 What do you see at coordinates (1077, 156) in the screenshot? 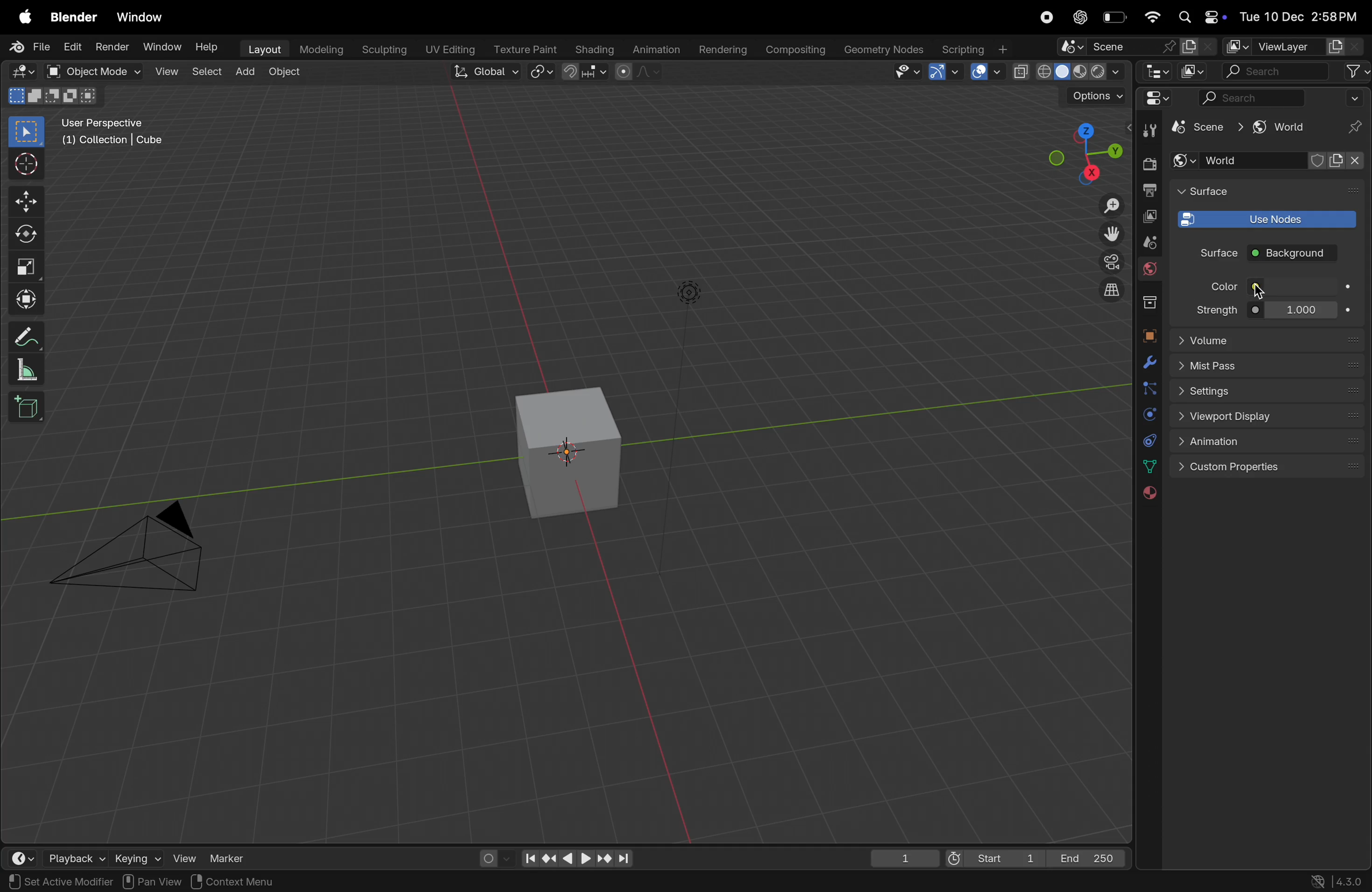
I see `view point` at bounding box center [1077, 156].